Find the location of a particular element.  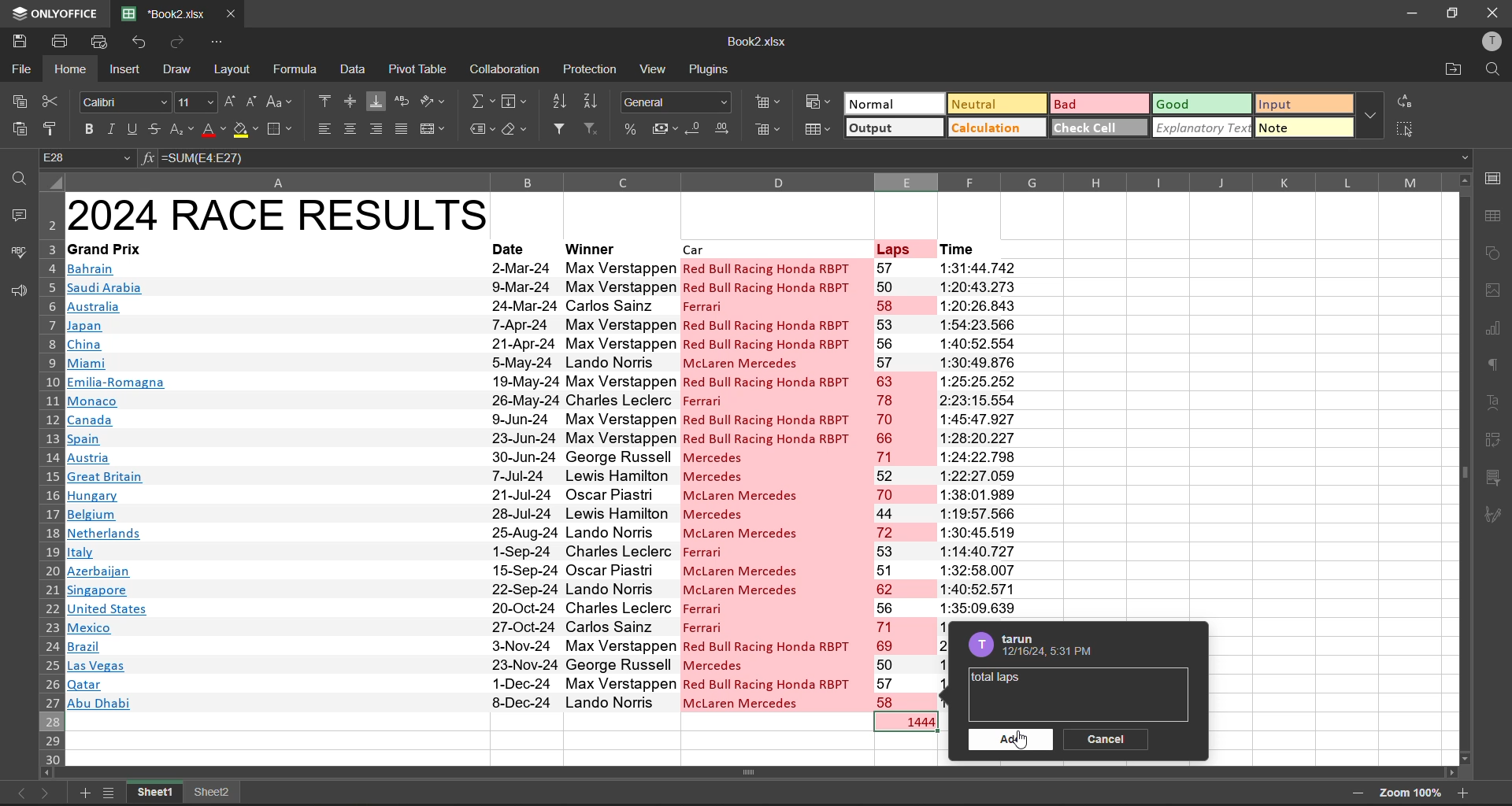

data is located at coordinates (351, 68).